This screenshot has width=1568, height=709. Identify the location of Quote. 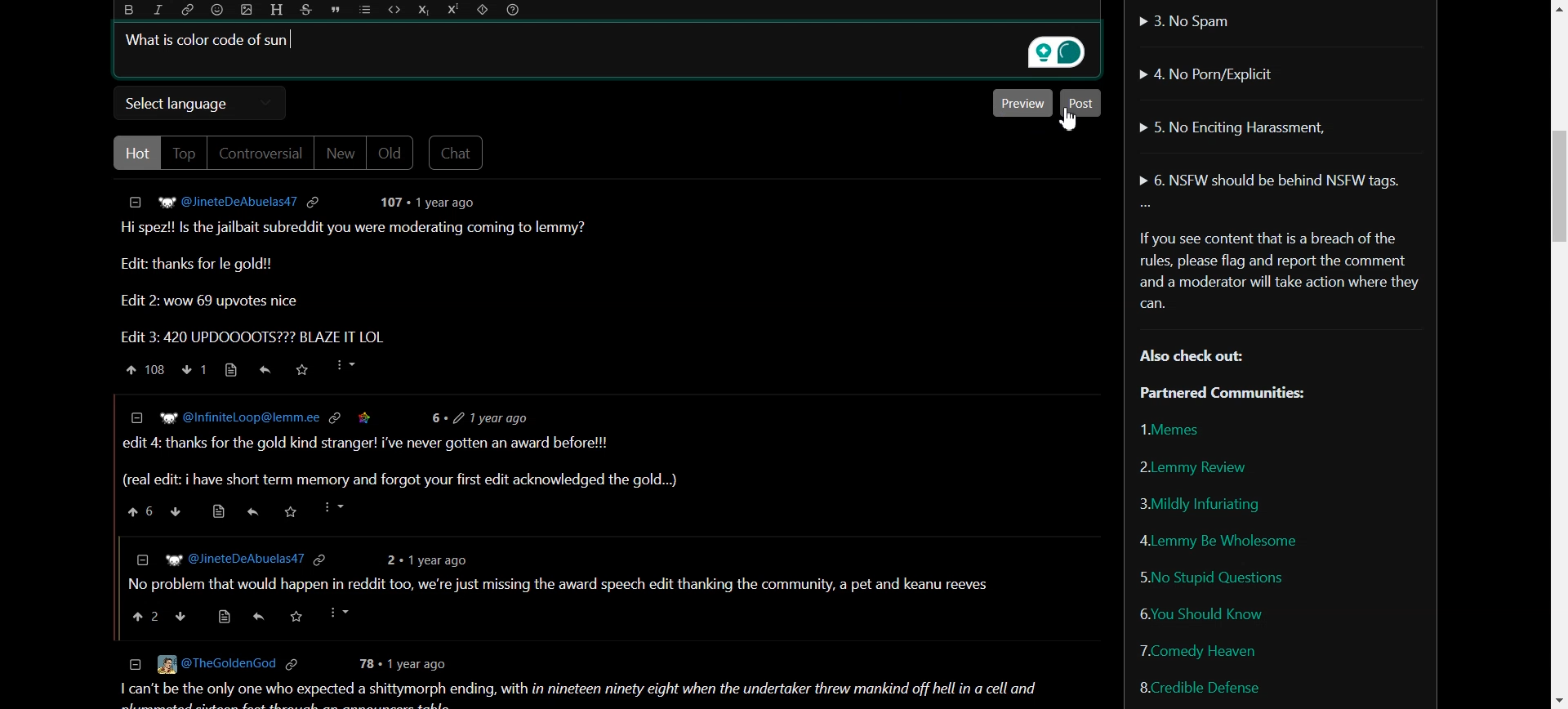
(337, 10).